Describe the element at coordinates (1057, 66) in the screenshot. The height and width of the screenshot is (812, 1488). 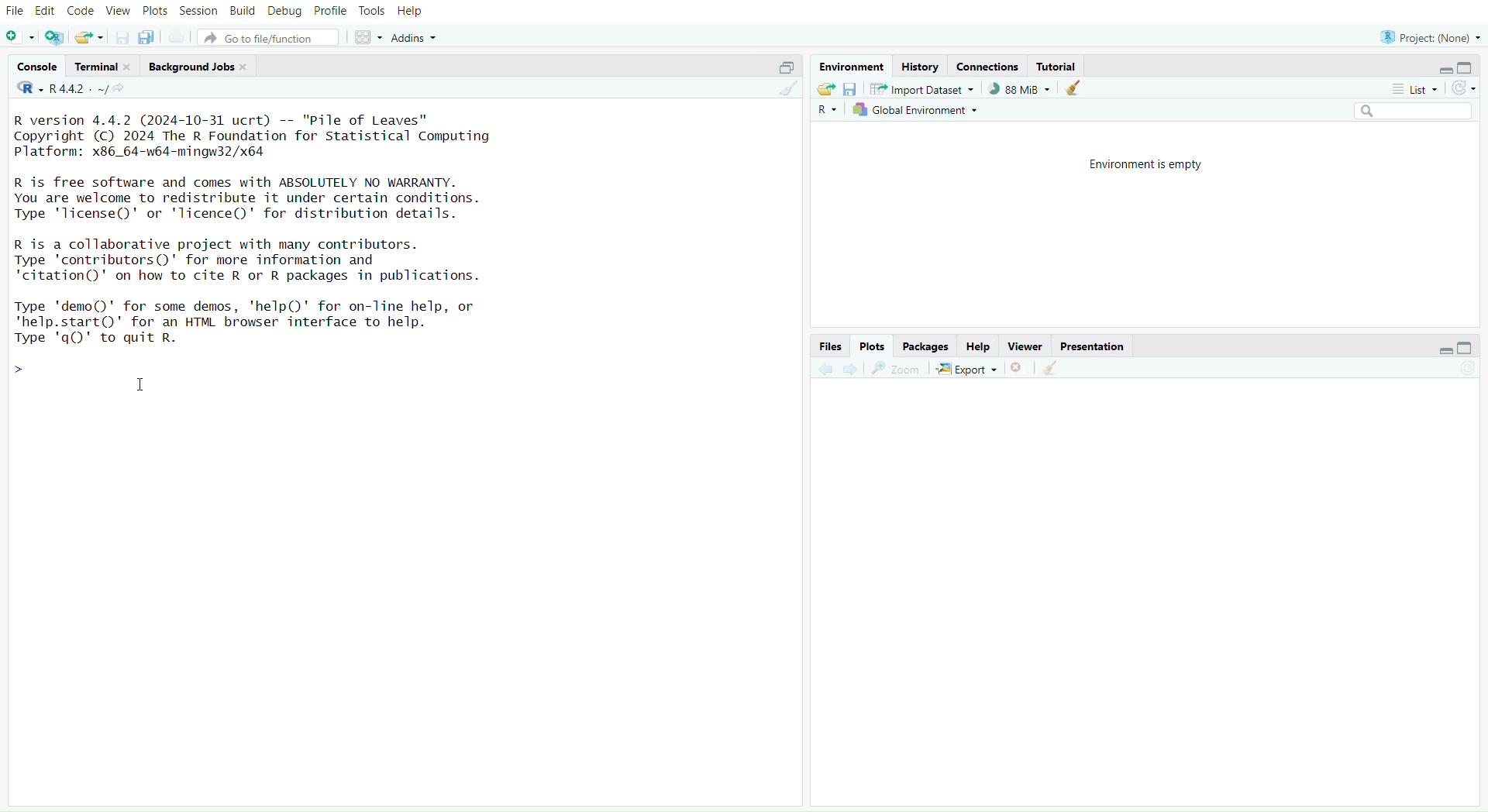
I see `tutorial` at that location.